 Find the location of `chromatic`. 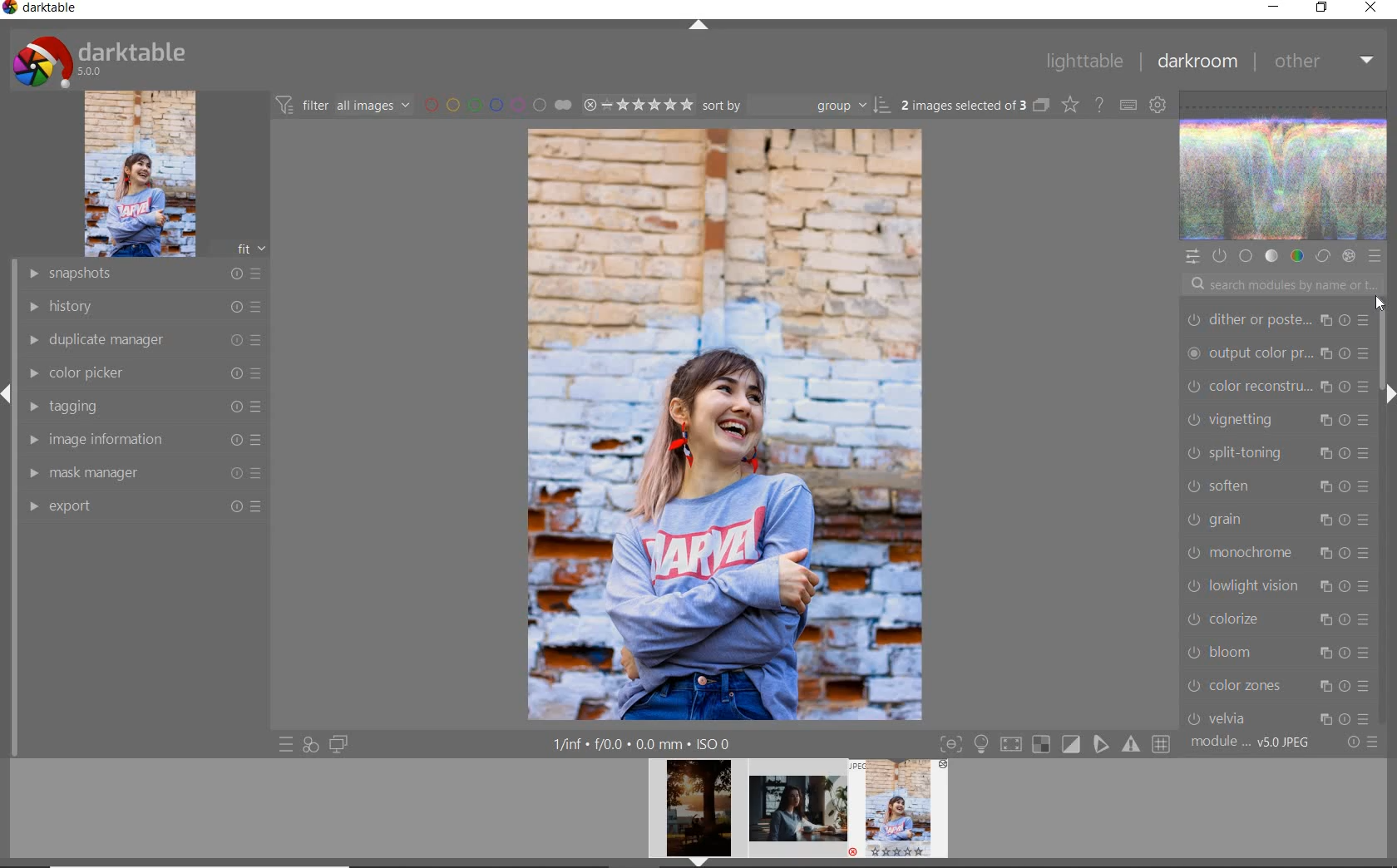

chromatic is located at coordinates (1277, 682).